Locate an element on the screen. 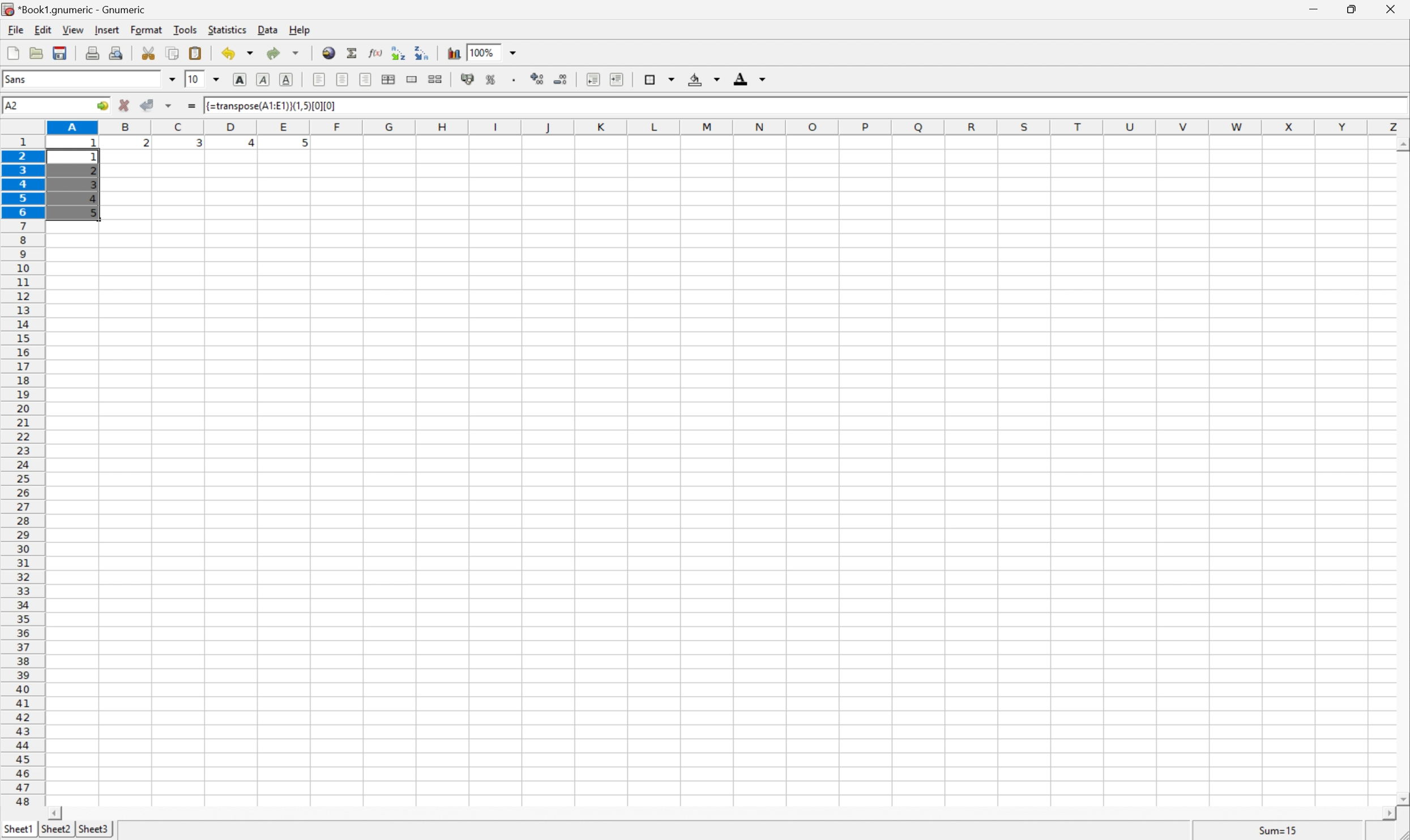 This screenshot has width=1410, height=840. format selection as accounting is located at coordinates (466, 79).